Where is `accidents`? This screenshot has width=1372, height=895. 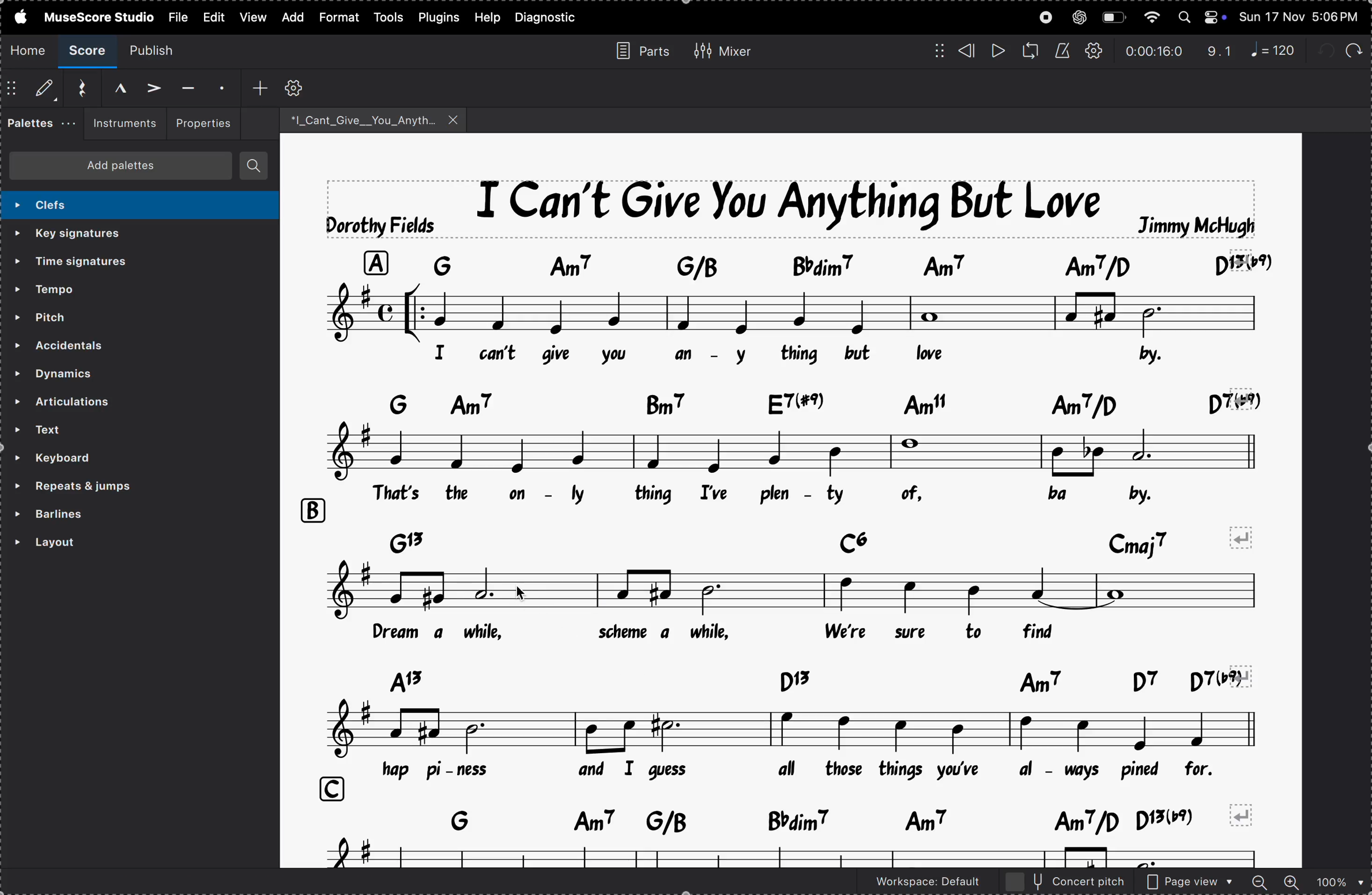 accidents is located at coordinates (85, 347).